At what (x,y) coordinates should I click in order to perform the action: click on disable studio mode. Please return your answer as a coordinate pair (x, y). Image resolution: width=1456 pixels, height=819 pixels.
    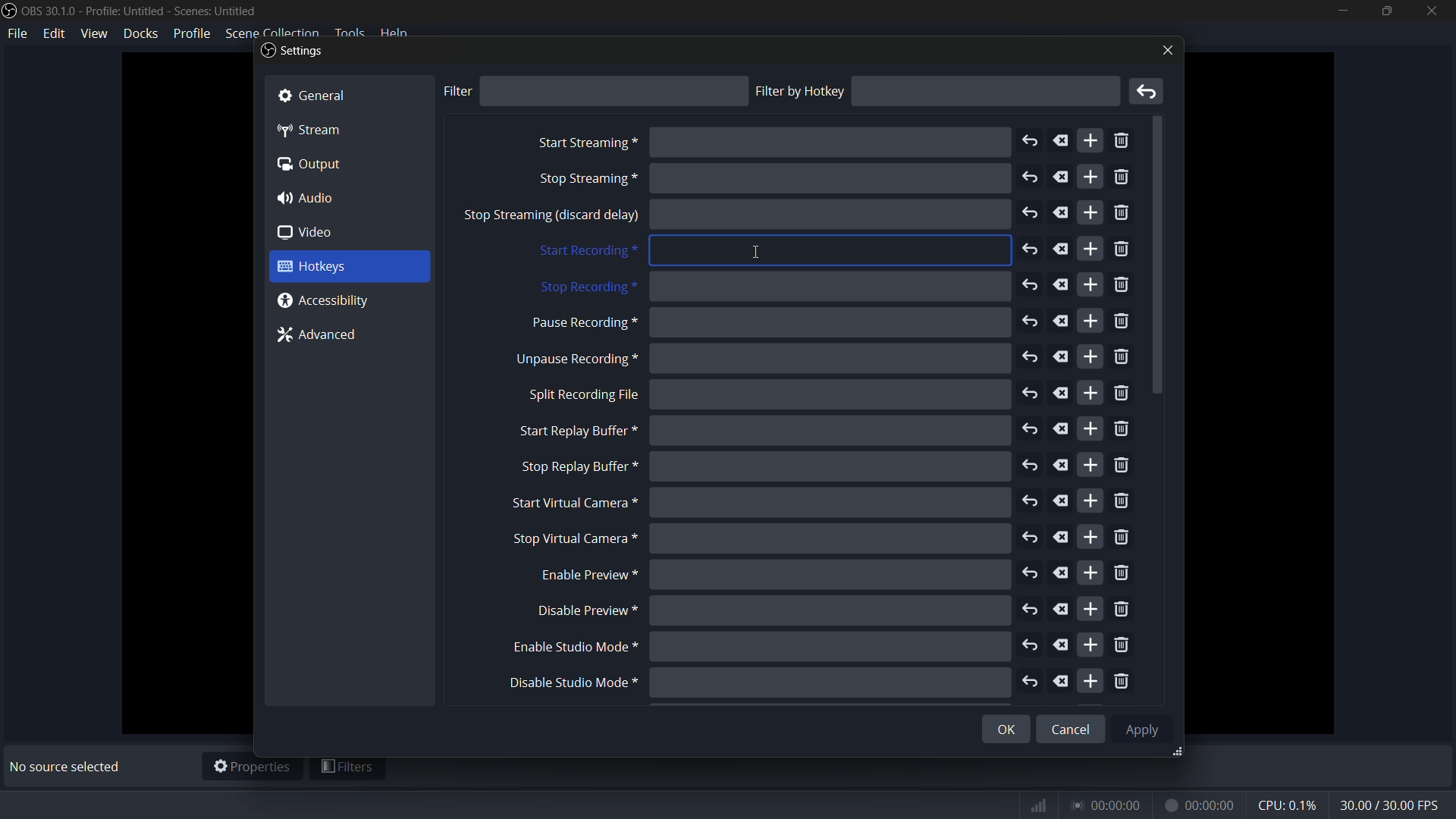
    Looking at the image, I should click on (571, 683).